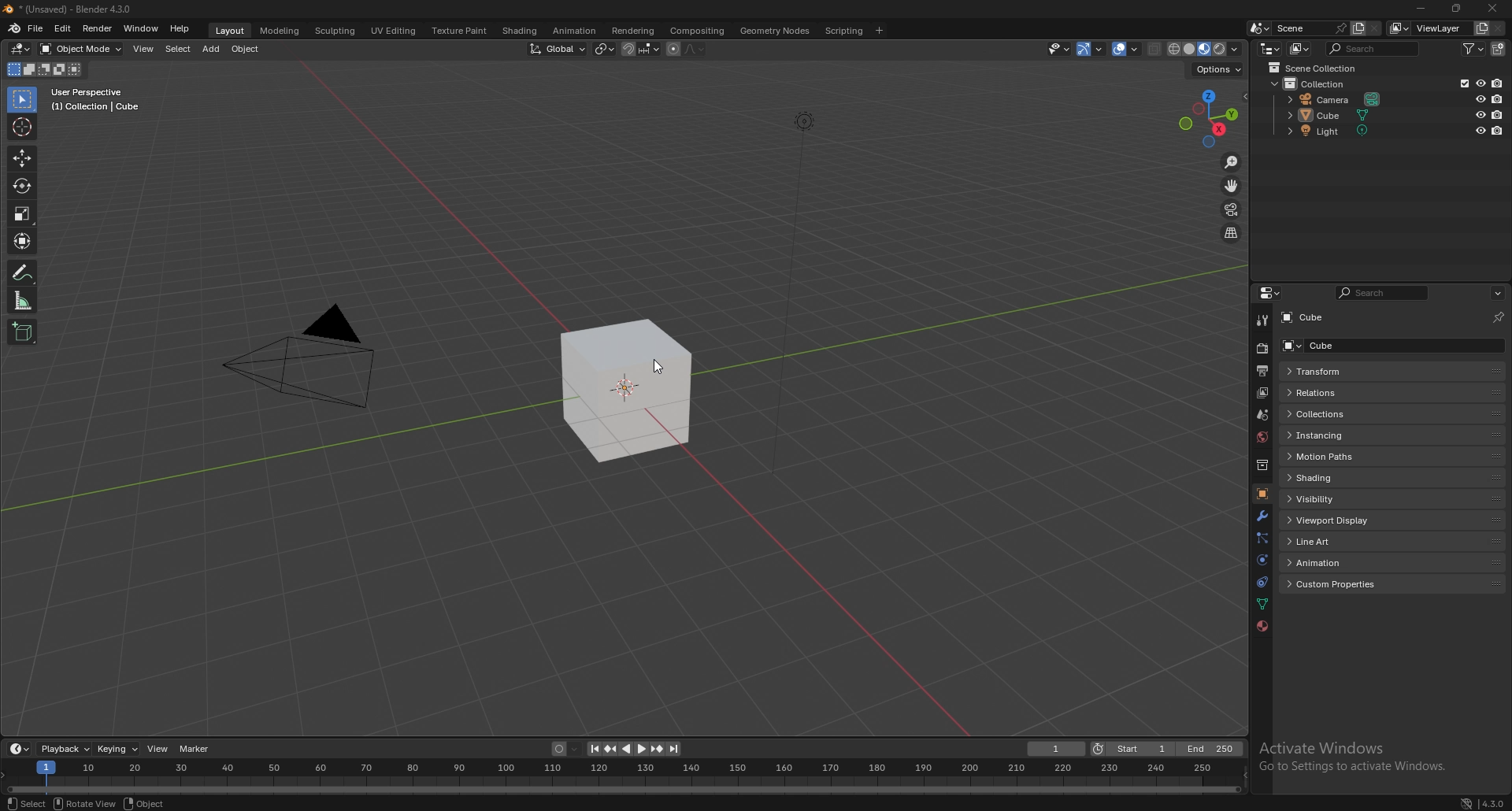 This screenshot has width=1512, height=811. I want to click on output, so click(1262, 371).